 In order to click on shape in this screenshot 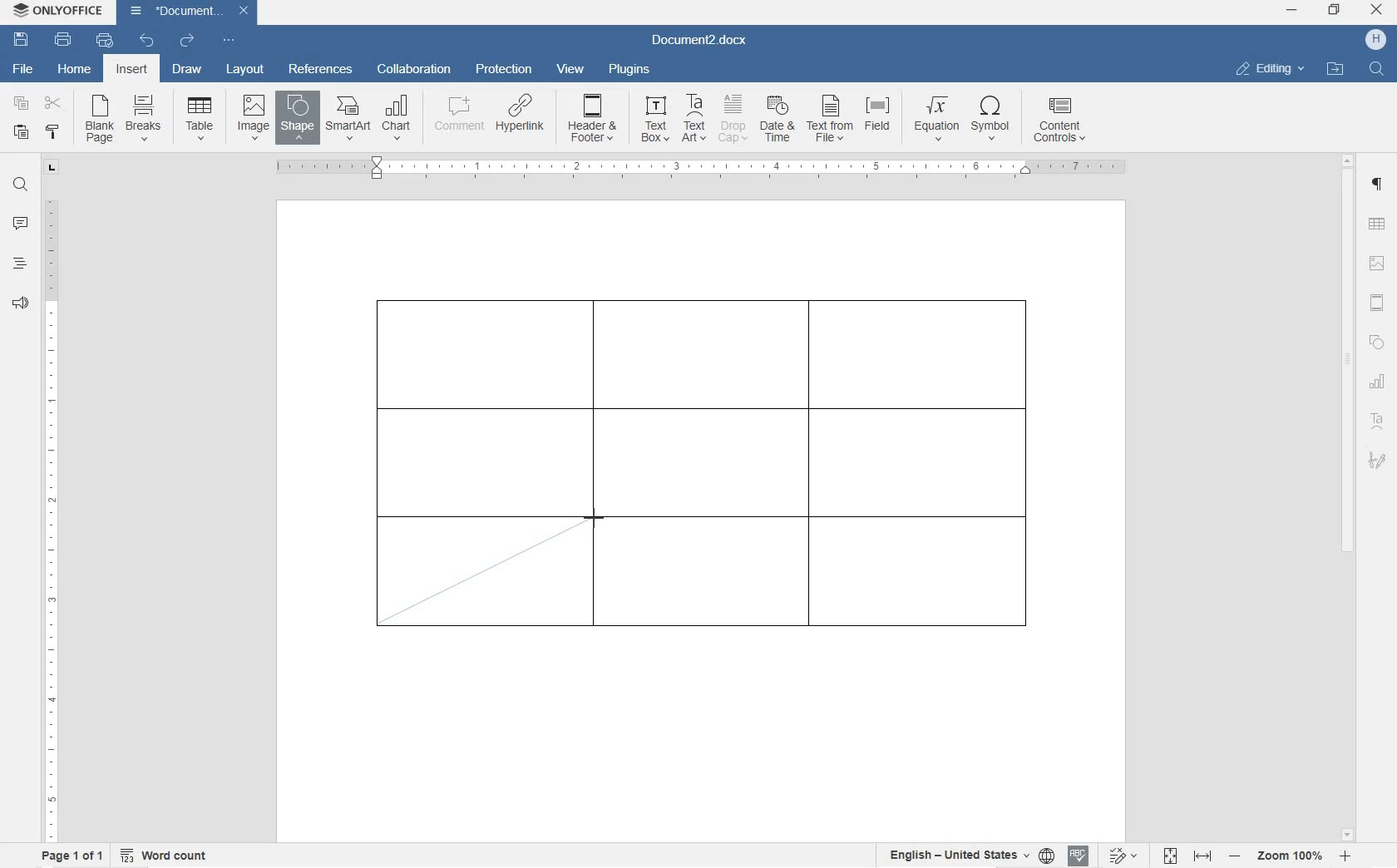, I will do `click(1377, 342)`.